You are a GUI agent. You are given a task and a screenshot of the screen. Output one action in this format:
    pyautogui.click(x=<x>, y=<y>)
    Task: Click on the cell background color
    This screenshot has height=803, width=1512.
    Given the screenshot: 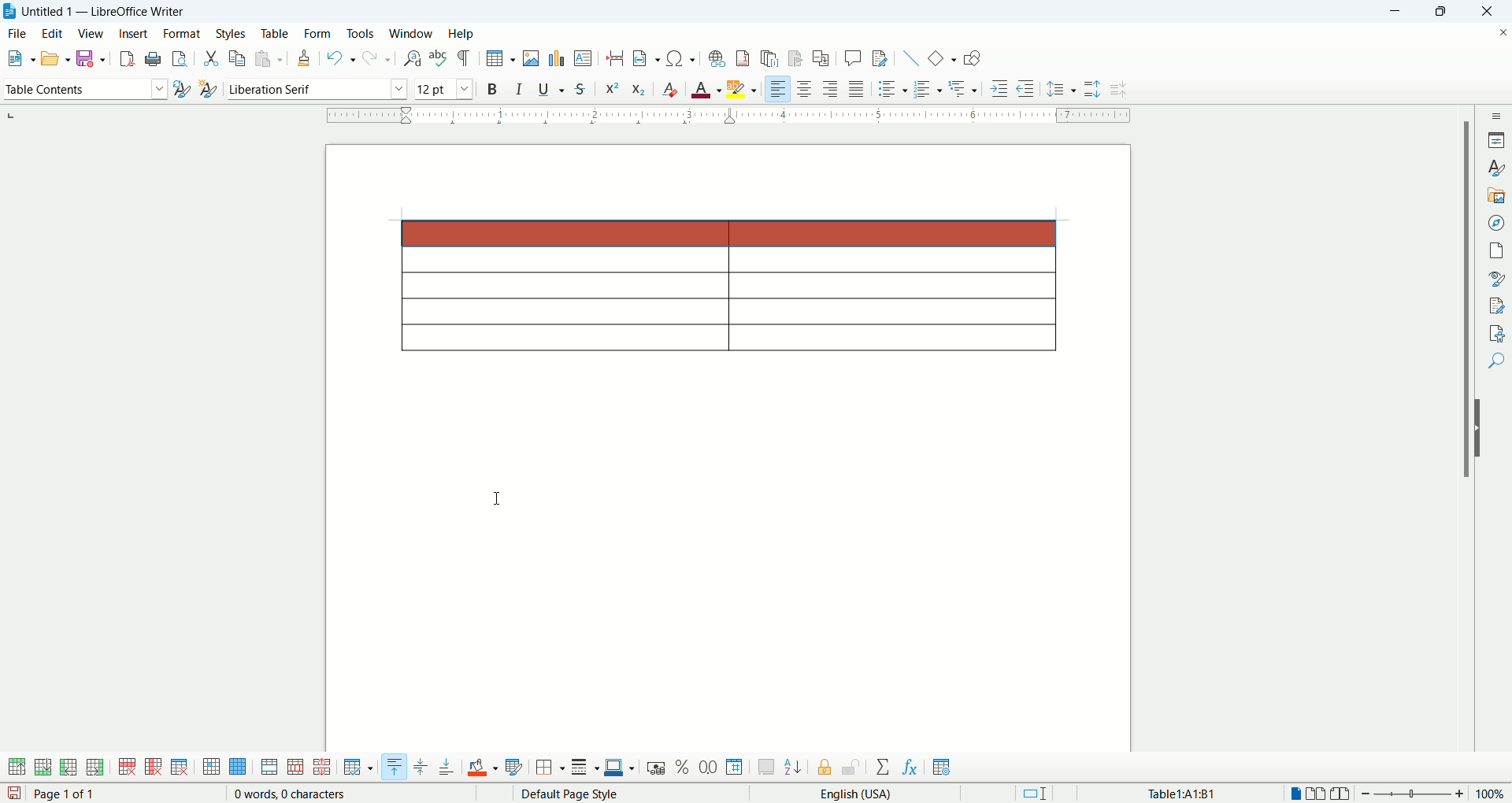 What is the action you would take?
    pyautogui.click(x=483, y=766)
    